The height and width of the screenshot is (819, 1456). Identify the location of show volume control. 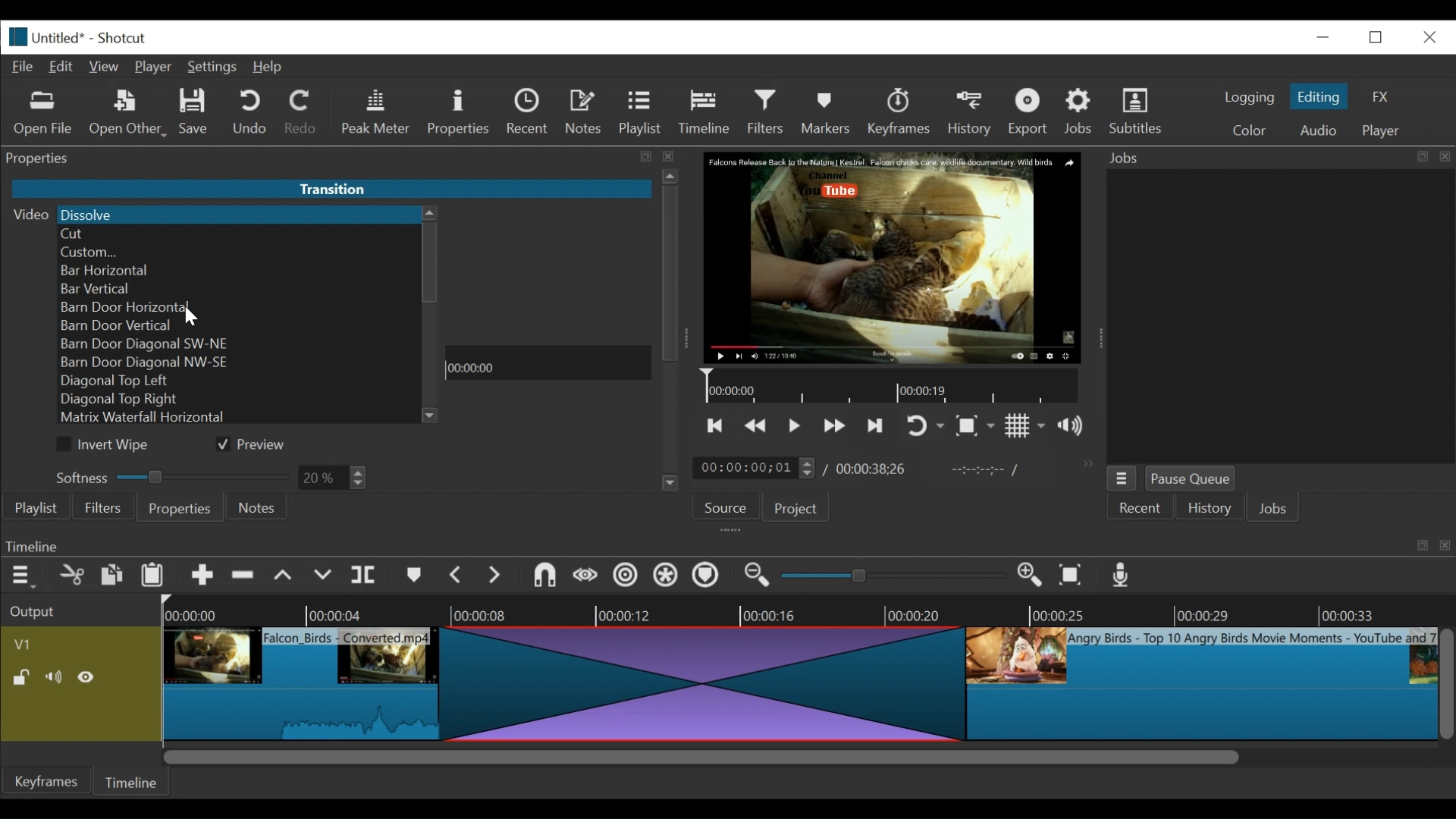
(1077, 427).